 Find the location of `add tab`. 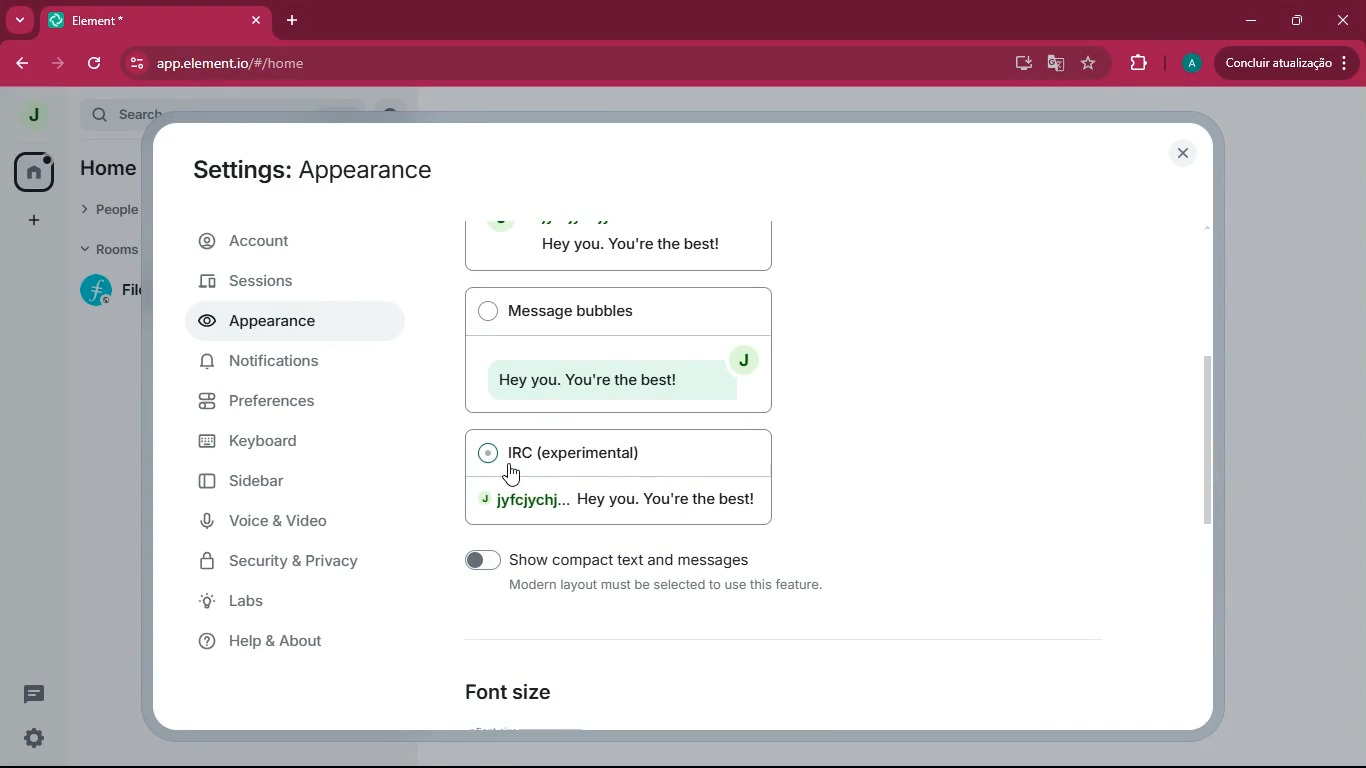

add tab is located at coordinates (294, 20).